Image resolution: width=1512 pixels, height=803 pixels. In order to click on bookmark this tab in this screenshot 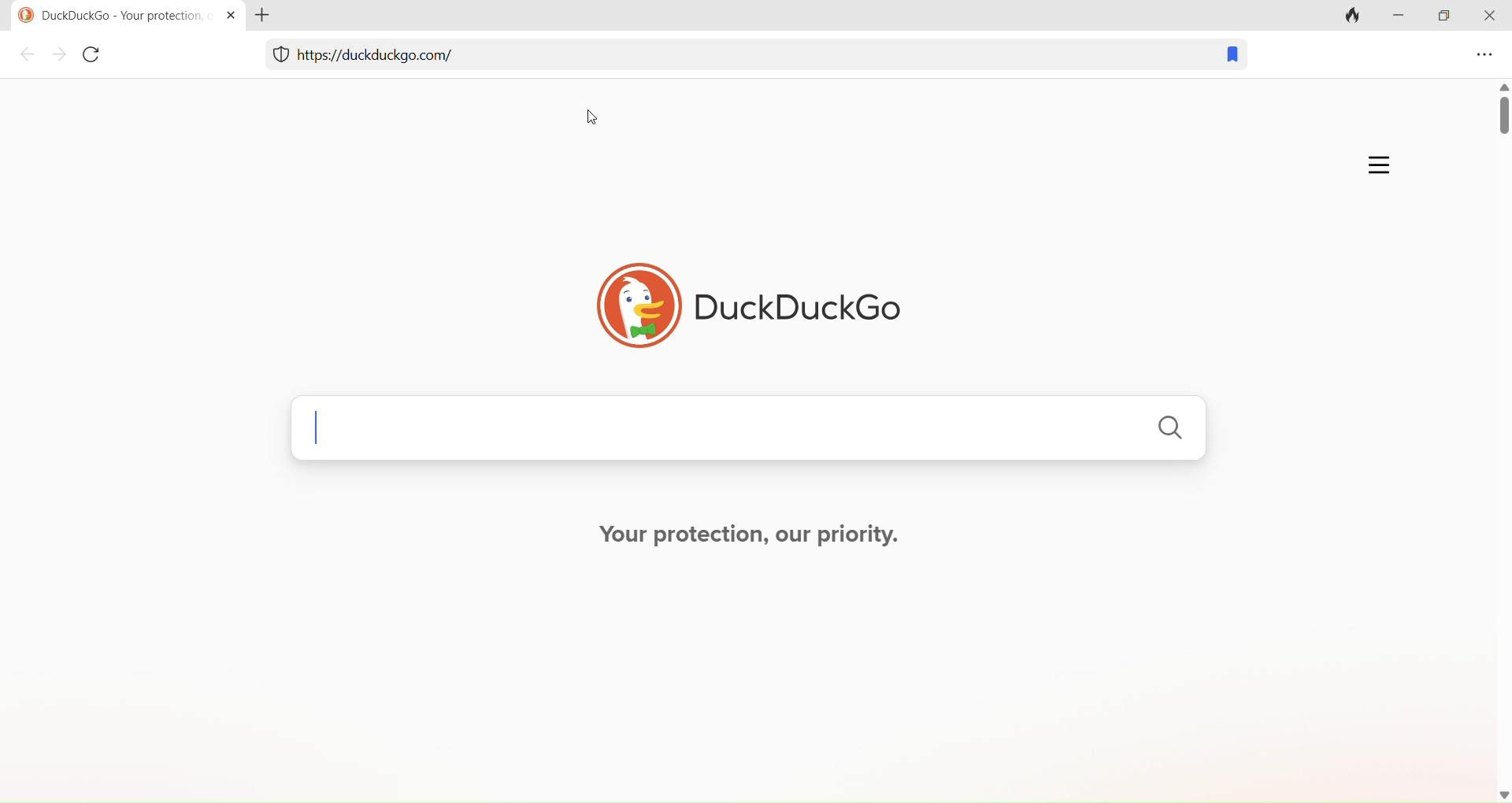, I will do `click(1227, 57)`.